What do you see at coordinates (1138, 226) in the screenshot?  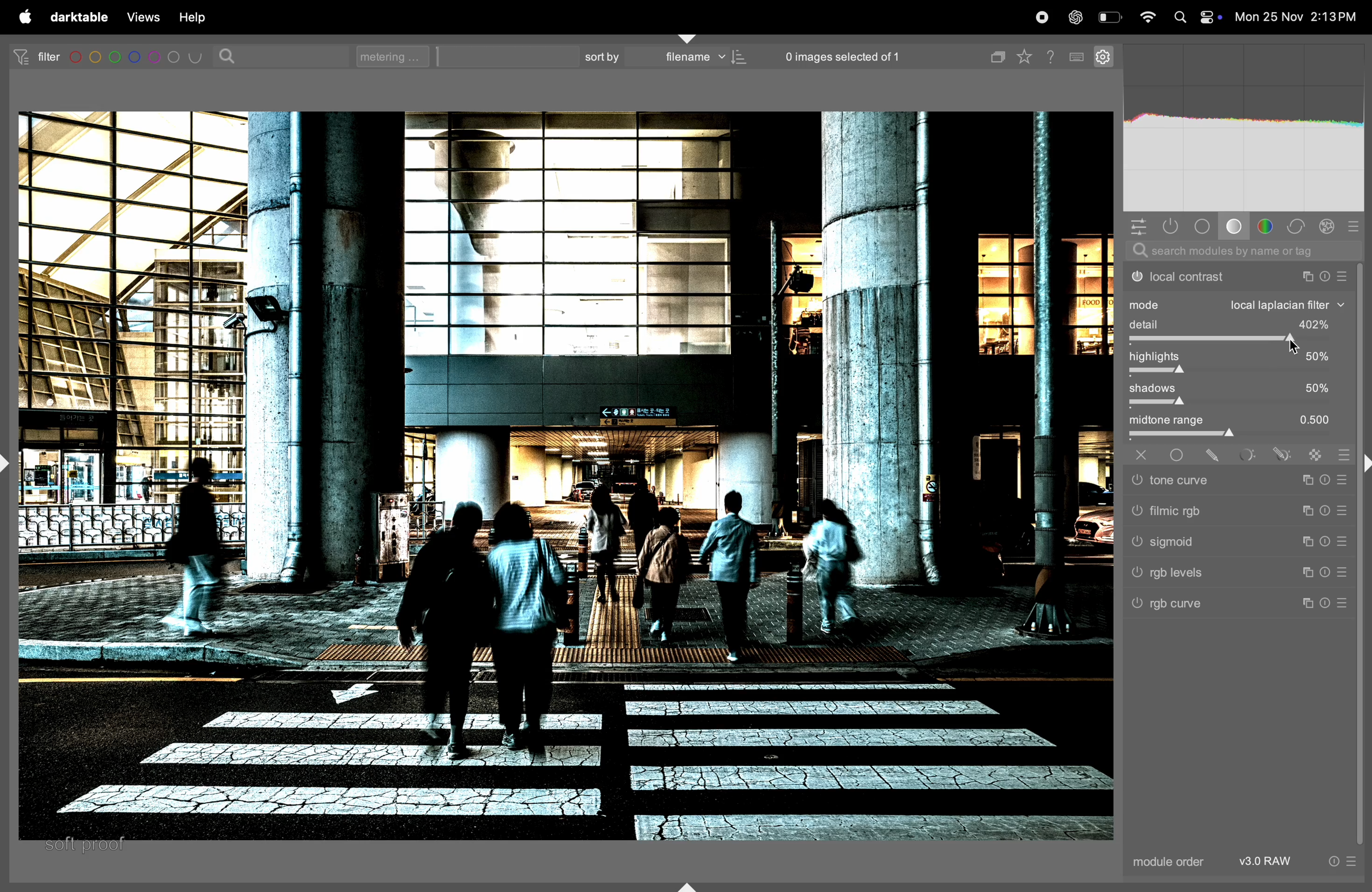 I see `quick acesss panel` at bounding box center [1138, 226].